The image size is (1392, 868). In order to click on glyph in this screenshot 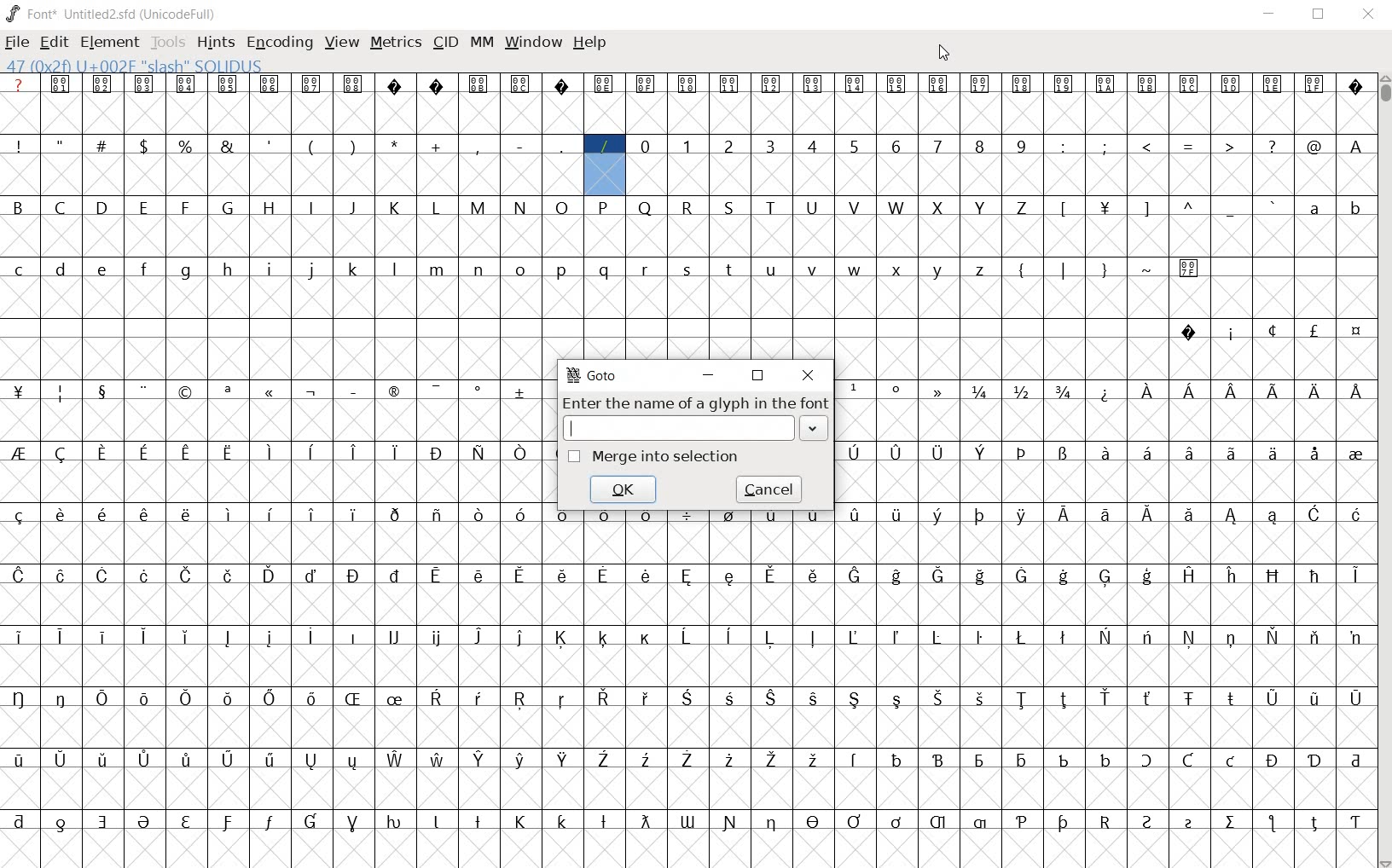, I will do `click(186, 454)`.